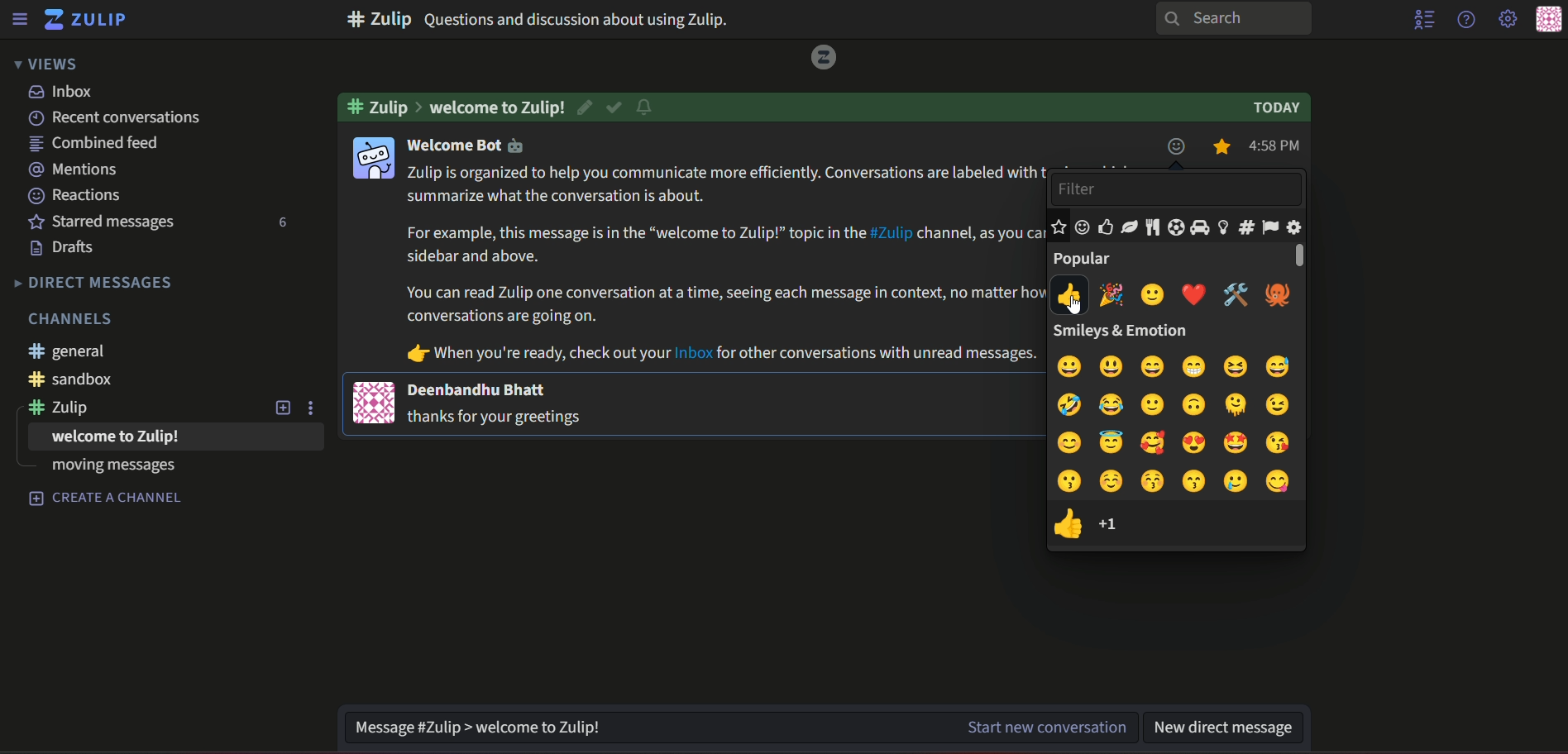 The width and height of the screenshot is (1568, 754). Describe the element at coordinates (1547, 19) in the screenshot. I see `personal menu` at that location.